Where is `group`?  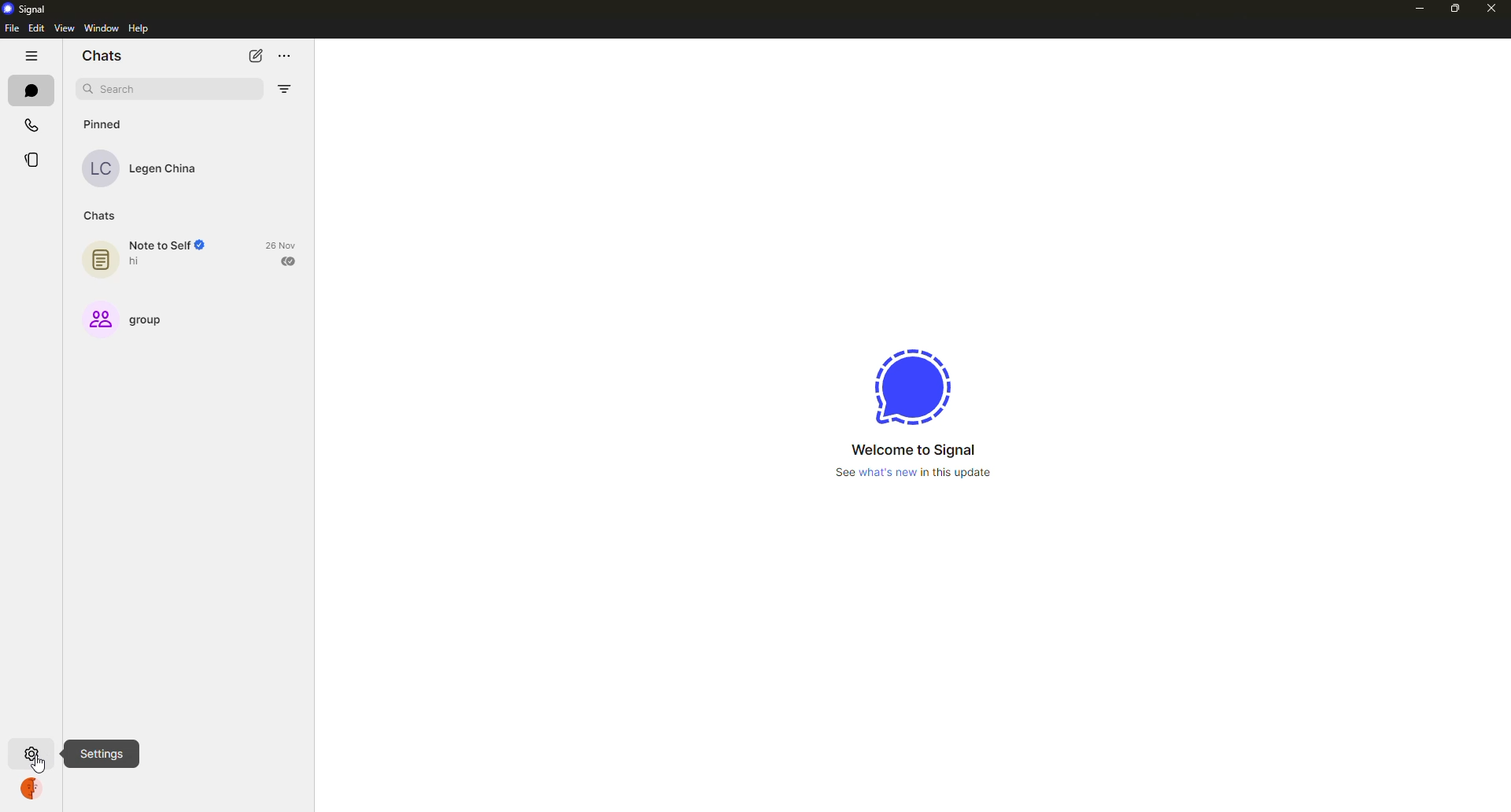 group is located at coordinates (157, 321).